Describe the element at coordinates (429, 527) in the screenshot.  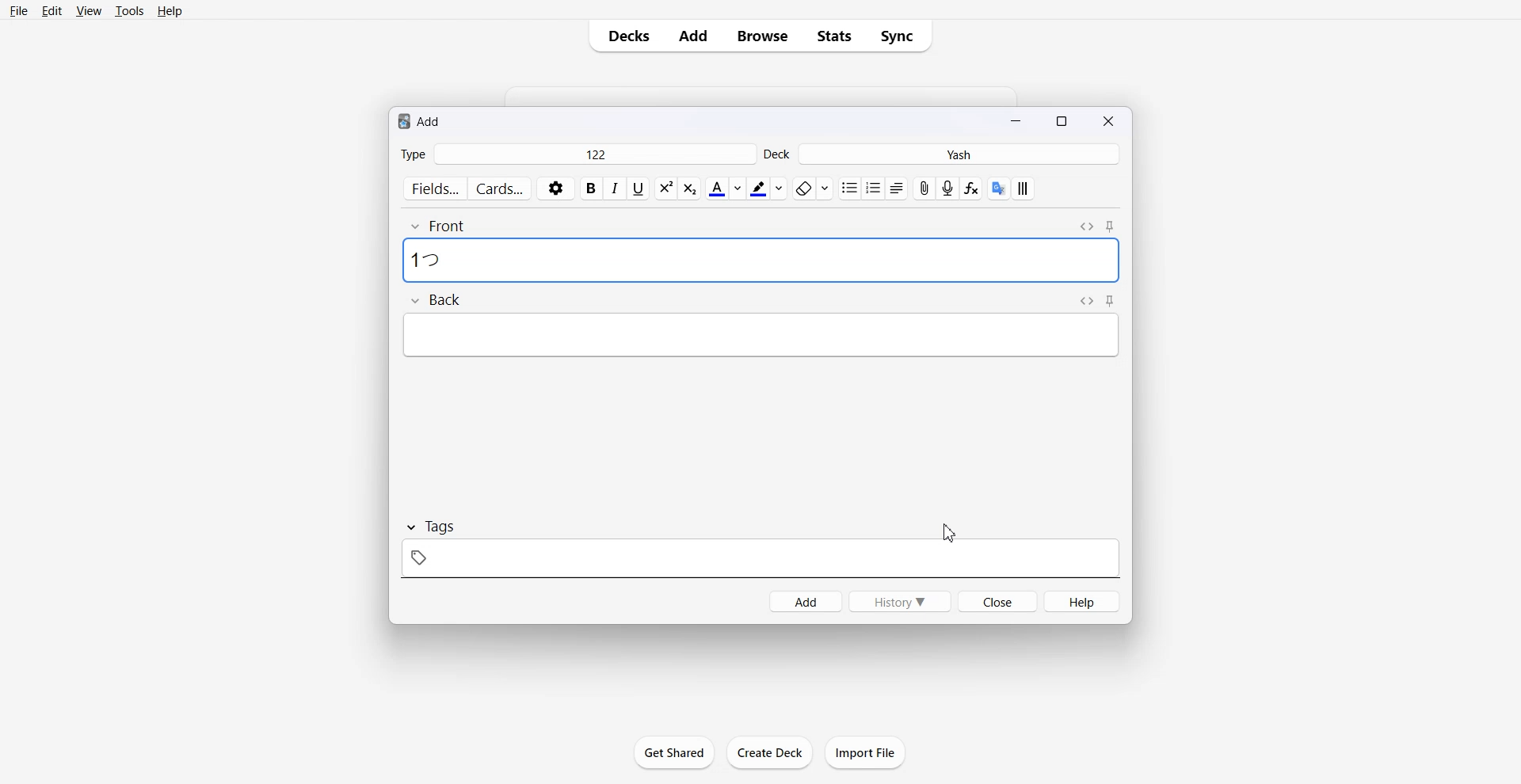
I see `Tags` at that location.